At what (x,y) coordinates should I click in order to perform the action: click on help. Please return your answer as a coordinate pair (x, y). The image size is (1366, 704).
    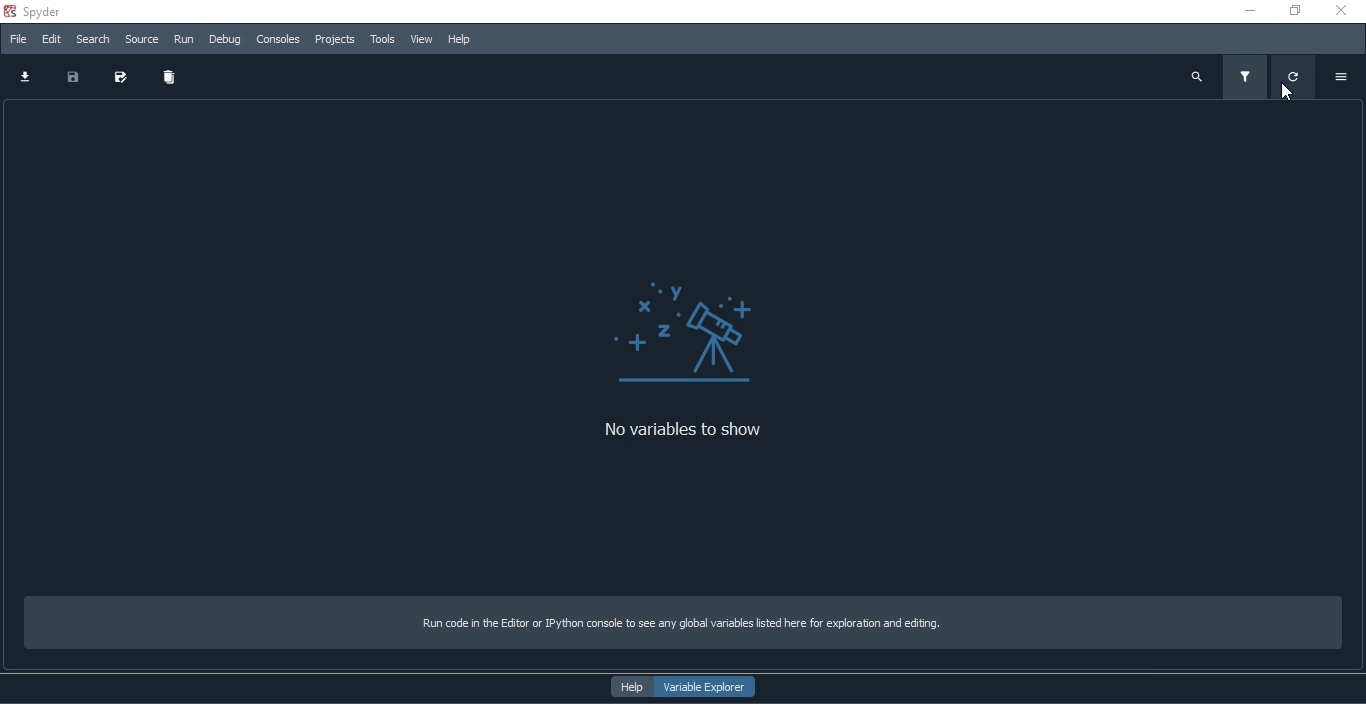
    Looking at the image, I should click on (627, 686).